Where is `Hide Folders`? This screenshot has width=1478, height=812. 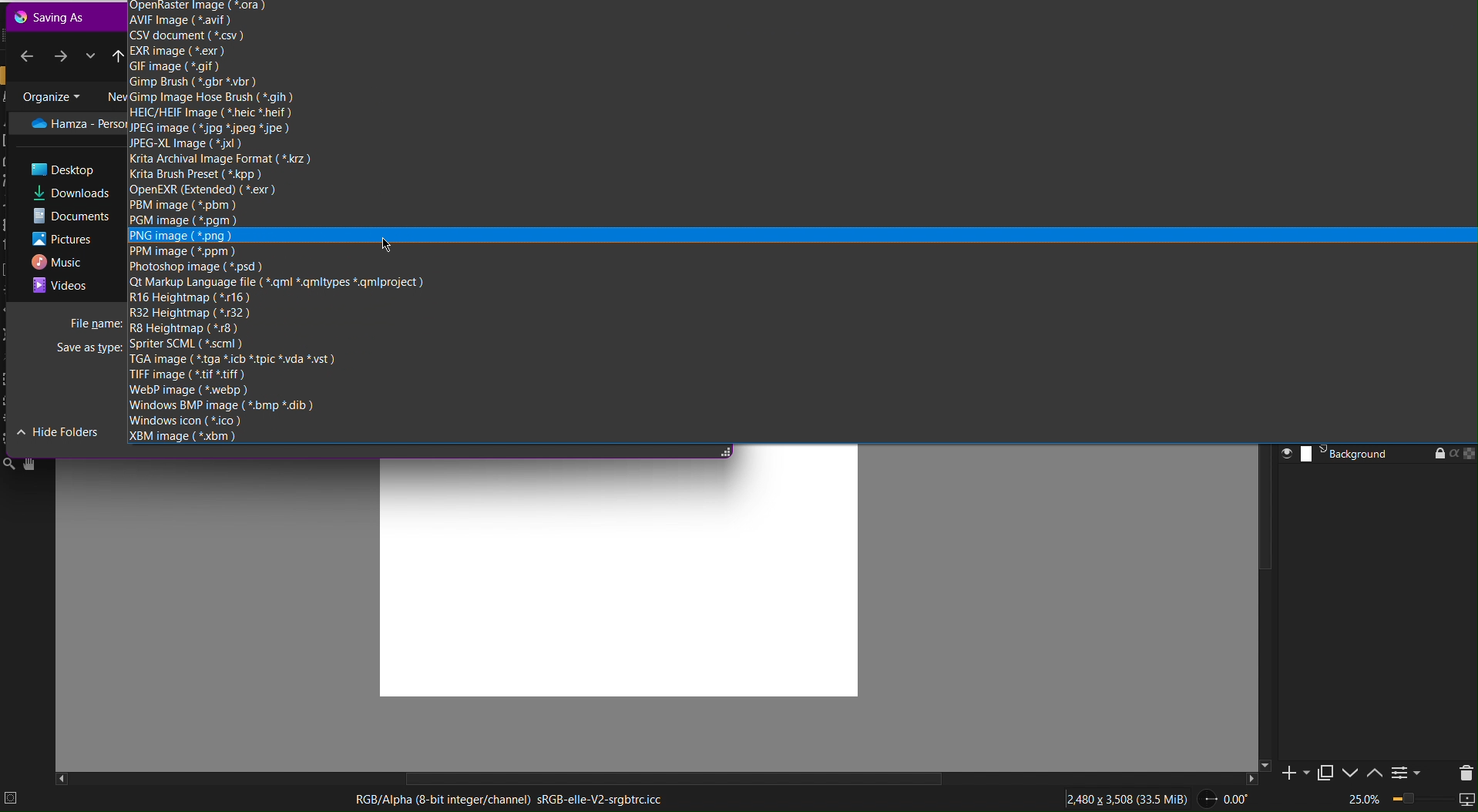
Hide Folders is located at coordinates (59, 431).